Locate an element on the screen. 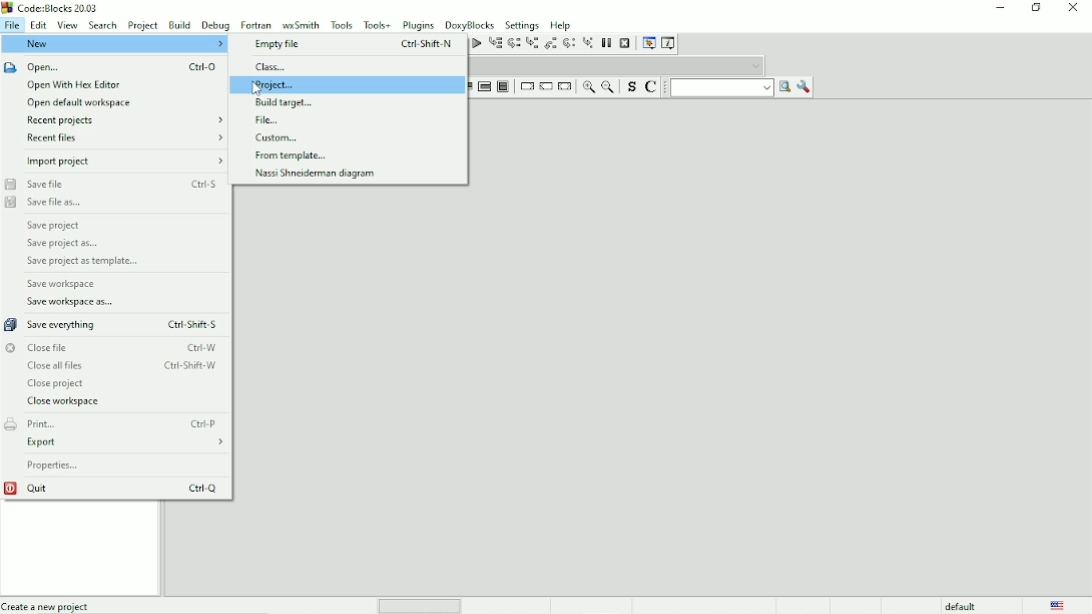  wxSmith is located at coordinates (300, 24).